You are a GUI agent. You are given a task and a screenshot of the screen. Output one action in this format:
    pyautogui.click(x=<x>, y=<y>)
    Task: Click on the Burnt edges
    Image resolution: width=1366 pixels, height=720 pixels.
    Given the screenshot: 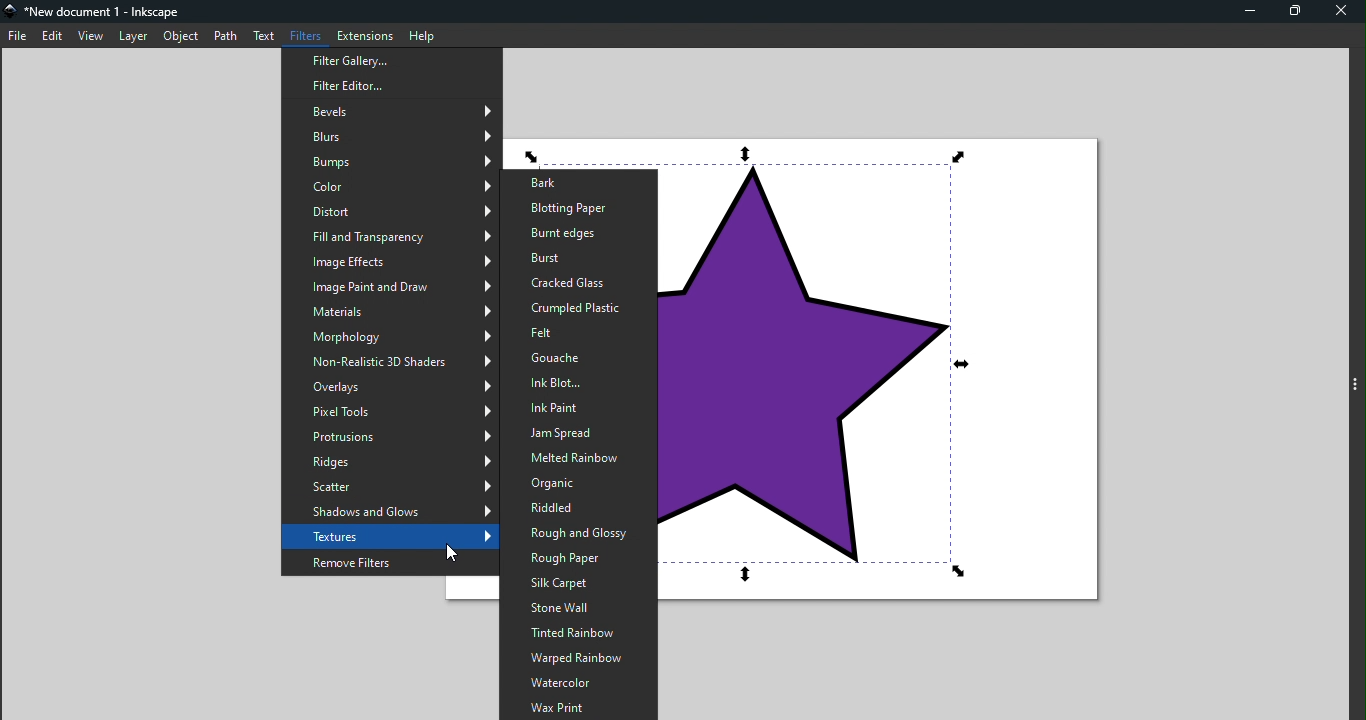 What is the action you would take?
    pyautogui.click(x=572, y=235)
    